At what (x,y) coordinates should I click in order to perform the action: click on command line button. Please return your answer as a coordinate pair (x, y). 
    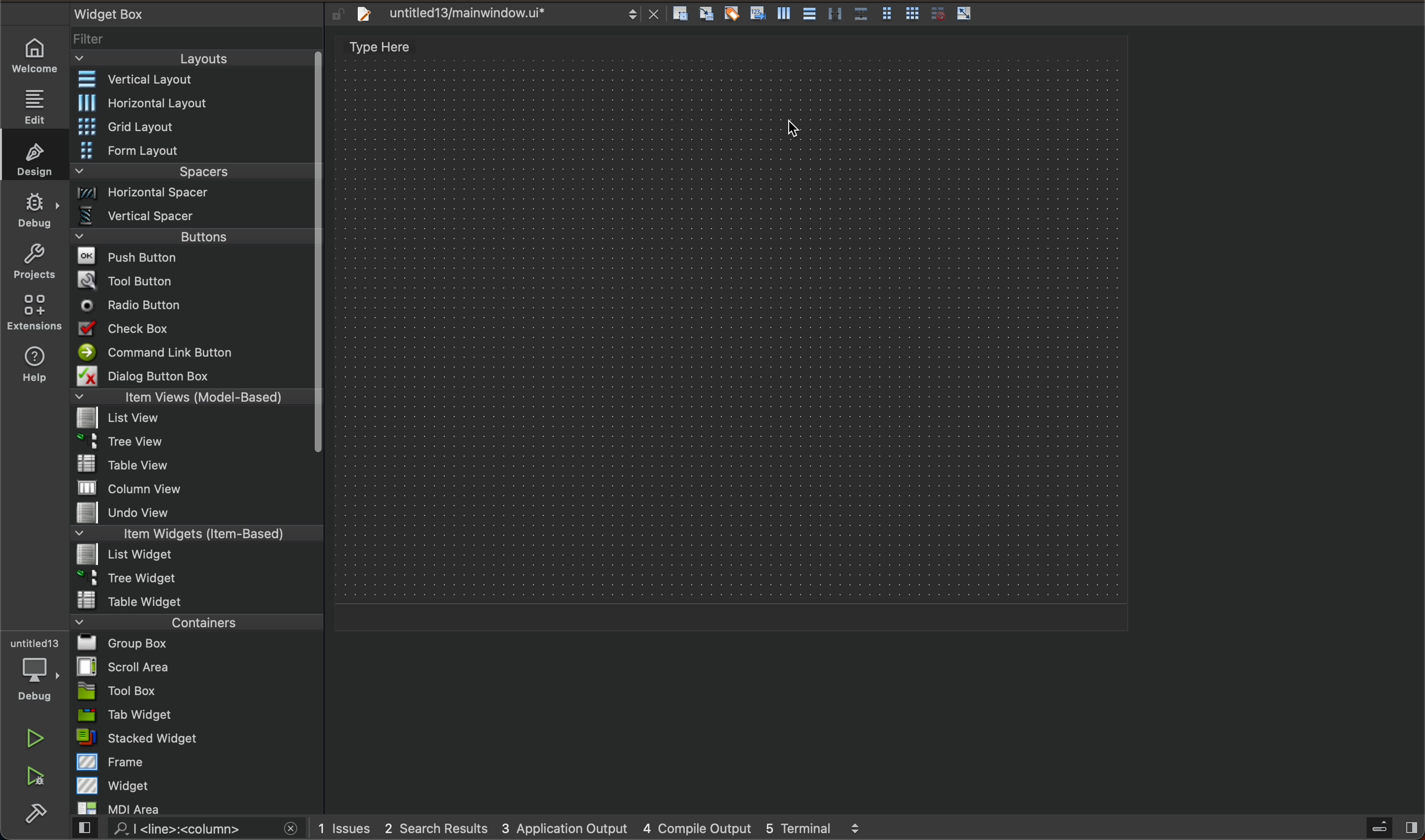
    Looking at the image, I should click on (191, 352).